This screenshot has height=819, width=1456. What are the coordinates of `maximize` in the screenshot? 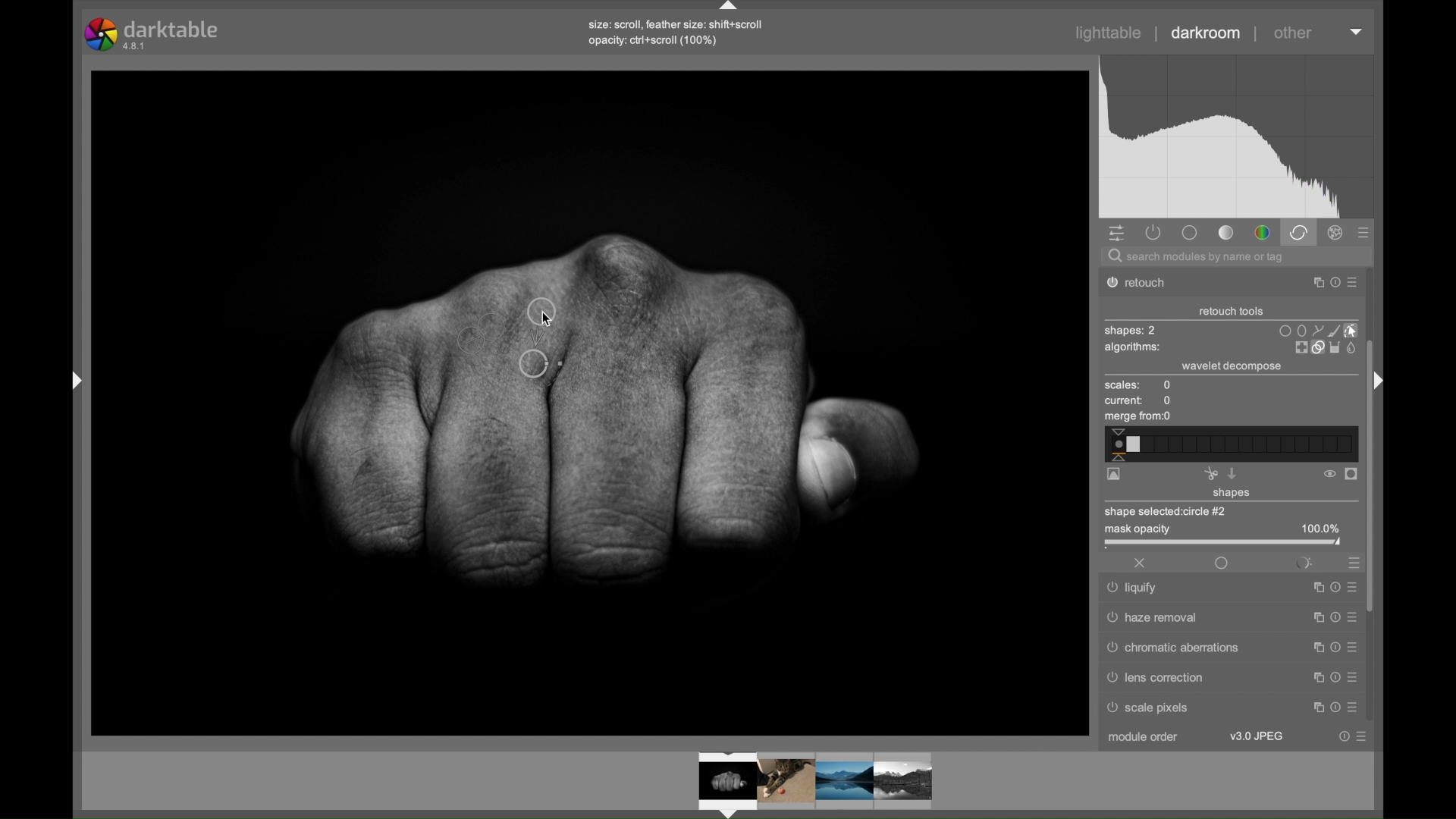 It's located at (1314, 646).